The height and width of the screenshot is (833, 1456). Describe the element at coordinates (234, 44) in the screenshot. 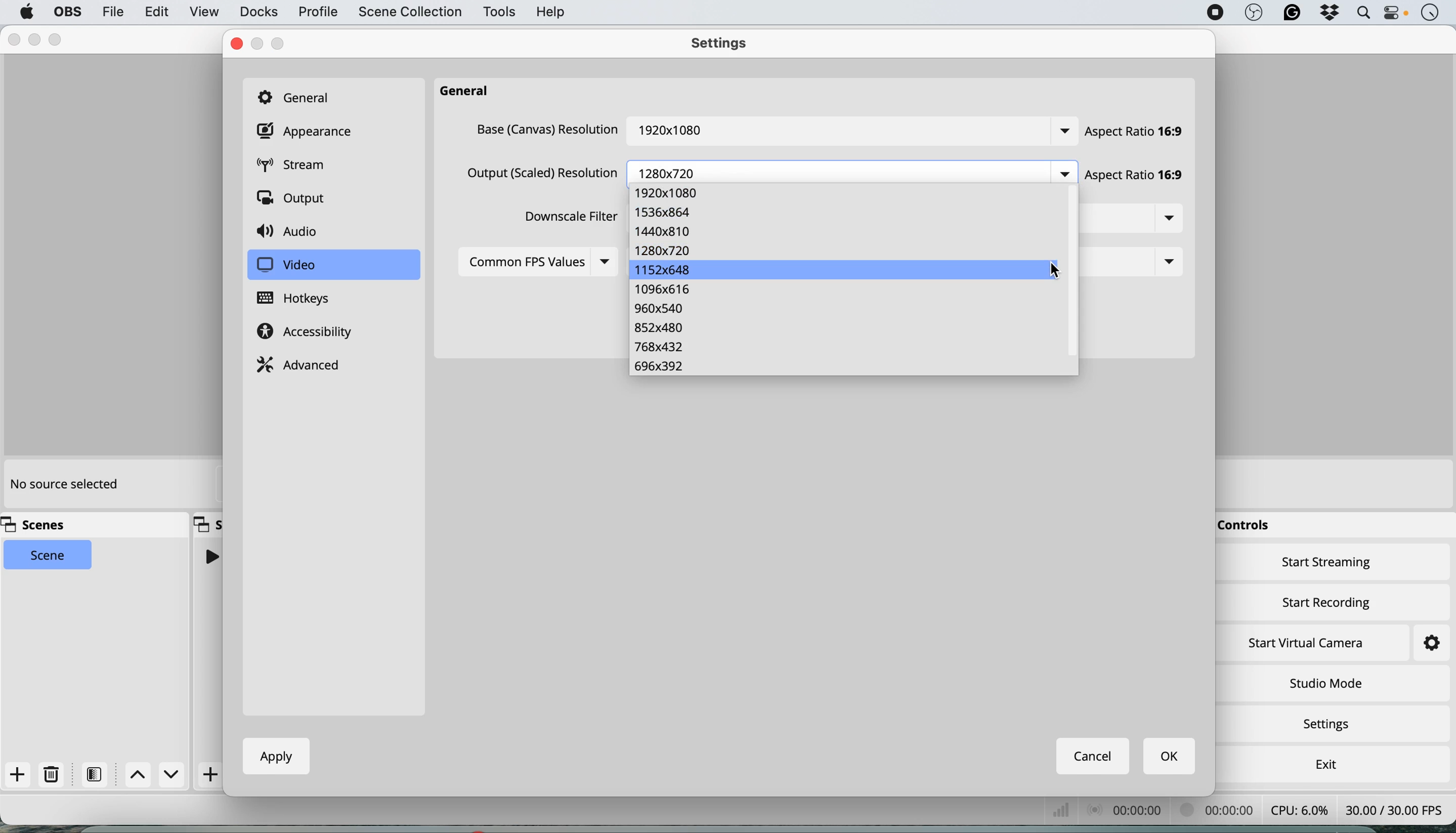

I see `close` at that location.